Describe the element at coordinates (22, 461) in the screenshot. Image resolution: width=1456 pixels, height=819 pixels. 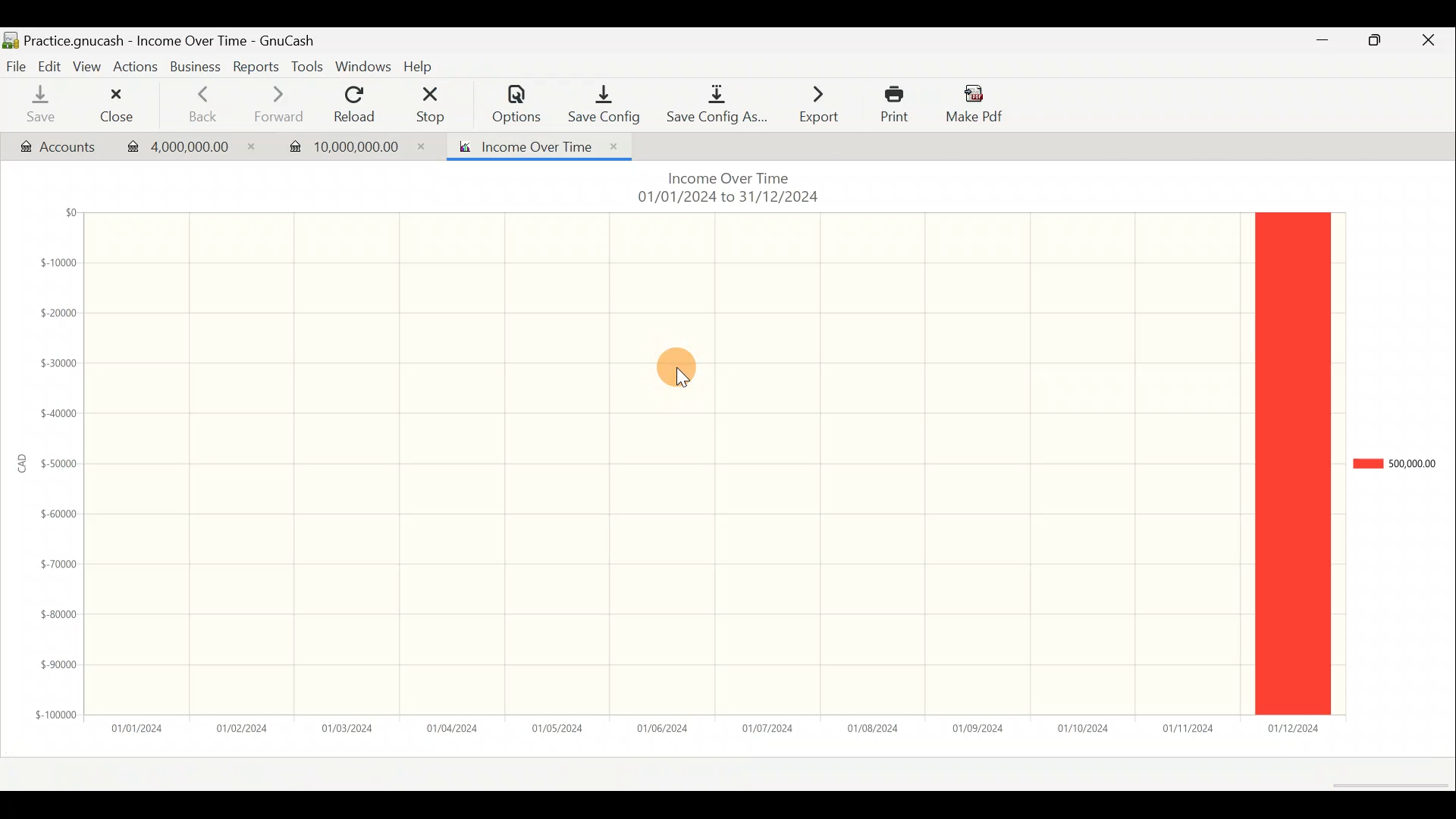
I see `CAD` at that location.